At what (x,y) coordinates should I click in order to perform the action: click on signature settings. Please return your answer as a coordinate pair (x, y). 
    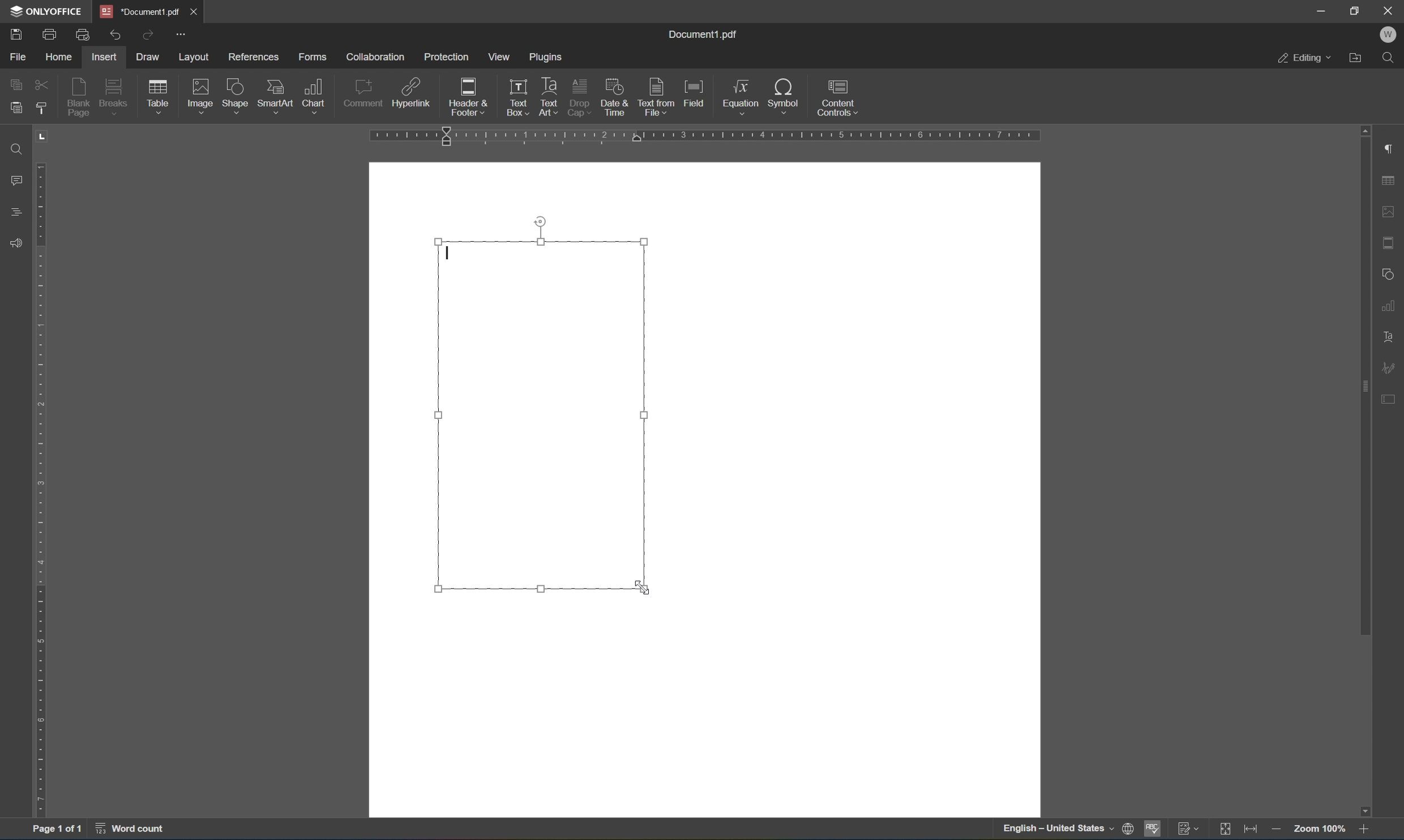
    Looking at the image, I should click on (1387, 367).